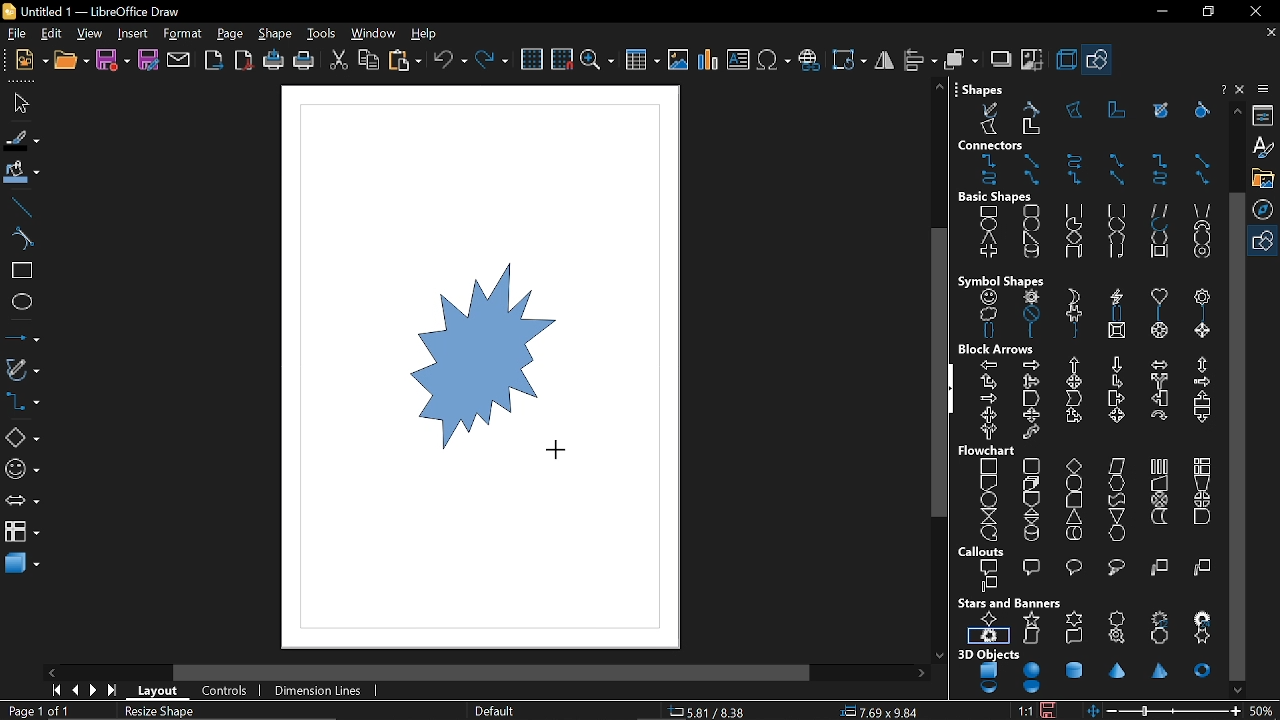 The image size is (1280, 720). I want to click on Display, so click(518, 362).